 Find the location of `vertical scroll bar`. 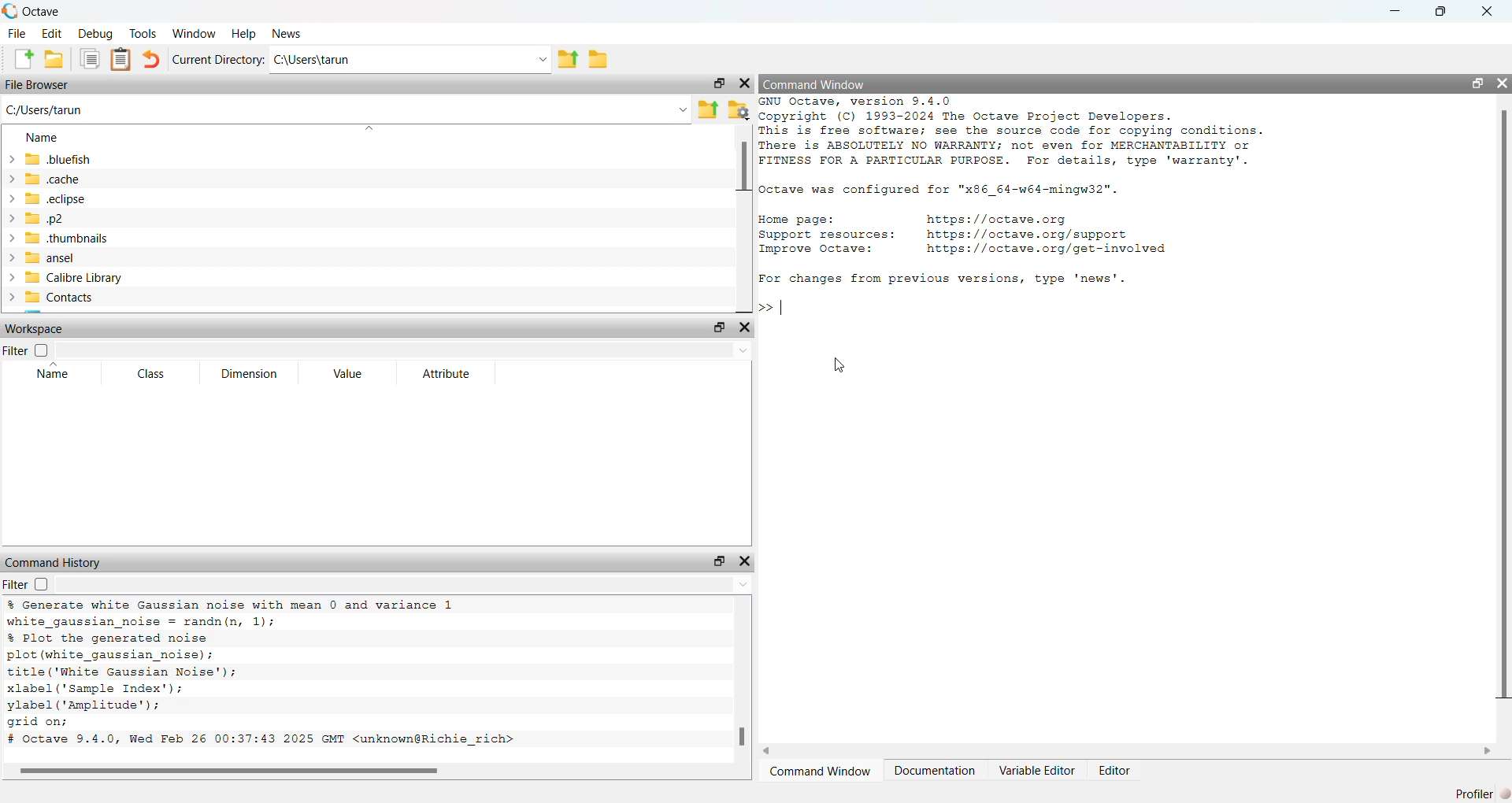

vertical scroll bar is located at coordinates (739, 682).